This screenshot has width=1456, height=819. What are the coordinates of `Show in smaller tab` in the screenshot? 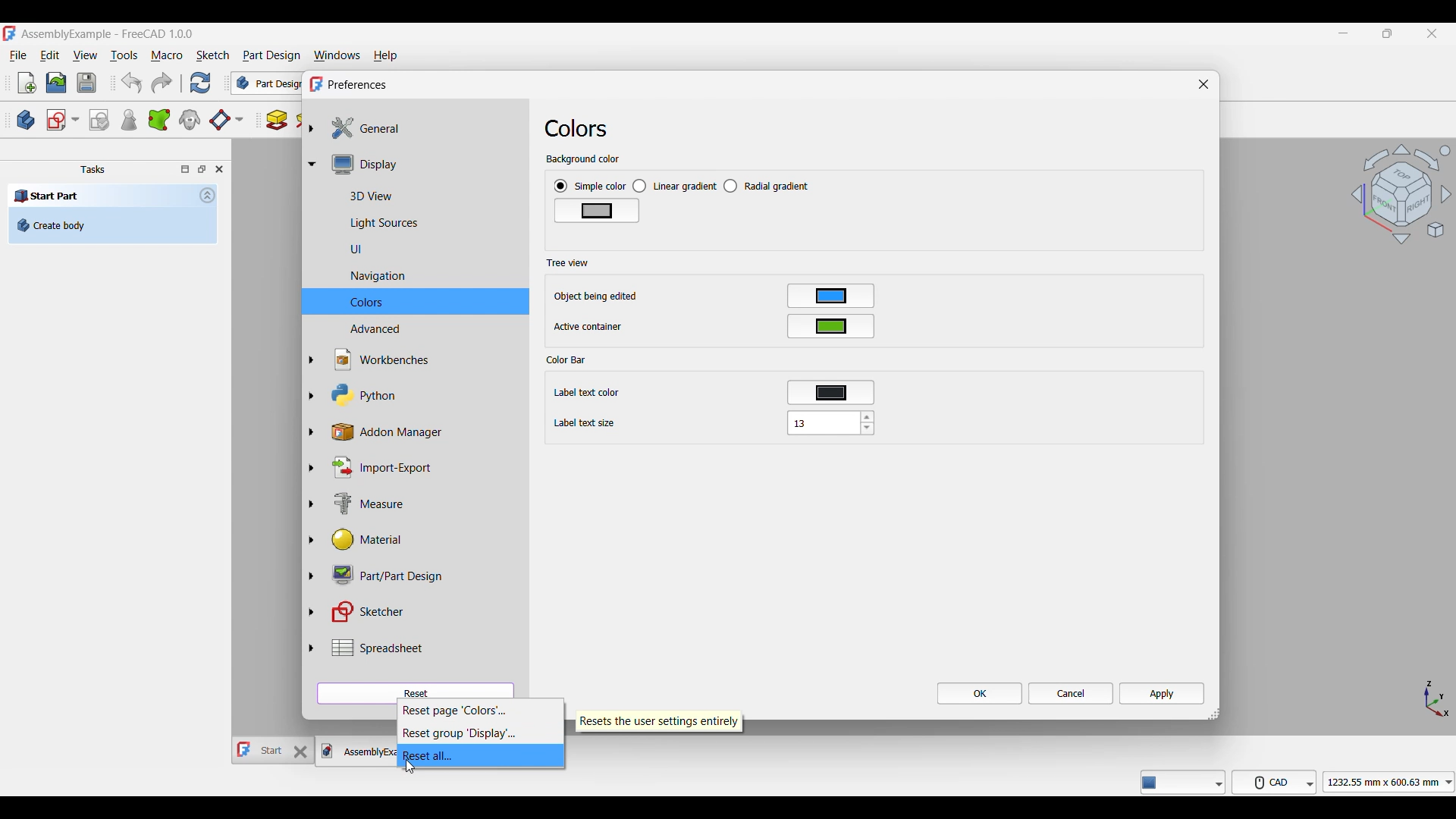 It's located at (1387, 33).